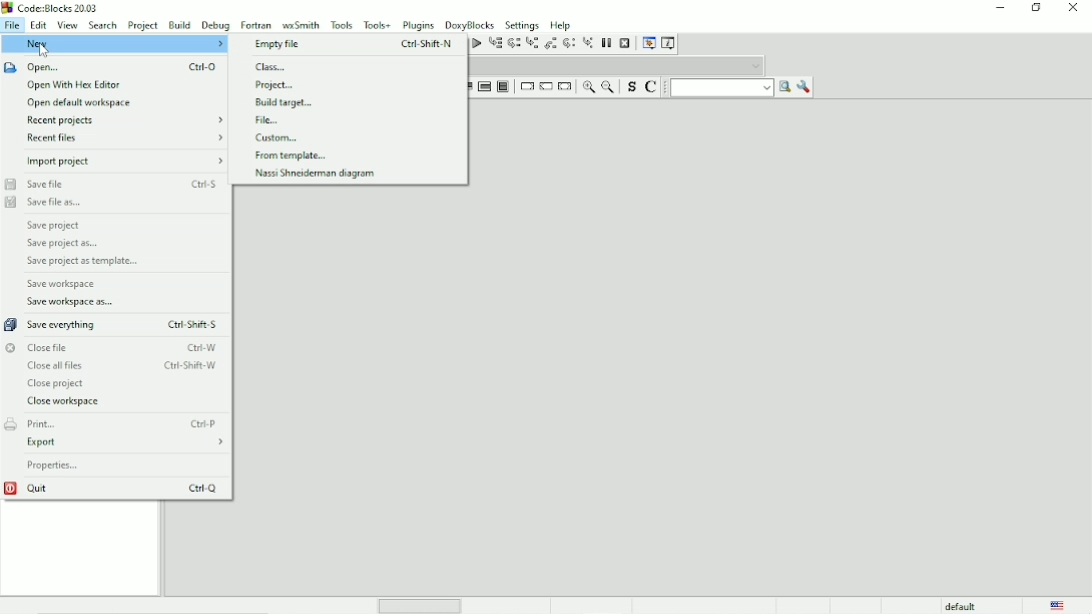 This screenshot has height=614, width=1092. What do you see at coordinates (63, 284) in the screenshot?
I see `Save workspace` at bounding box center [63, 284].